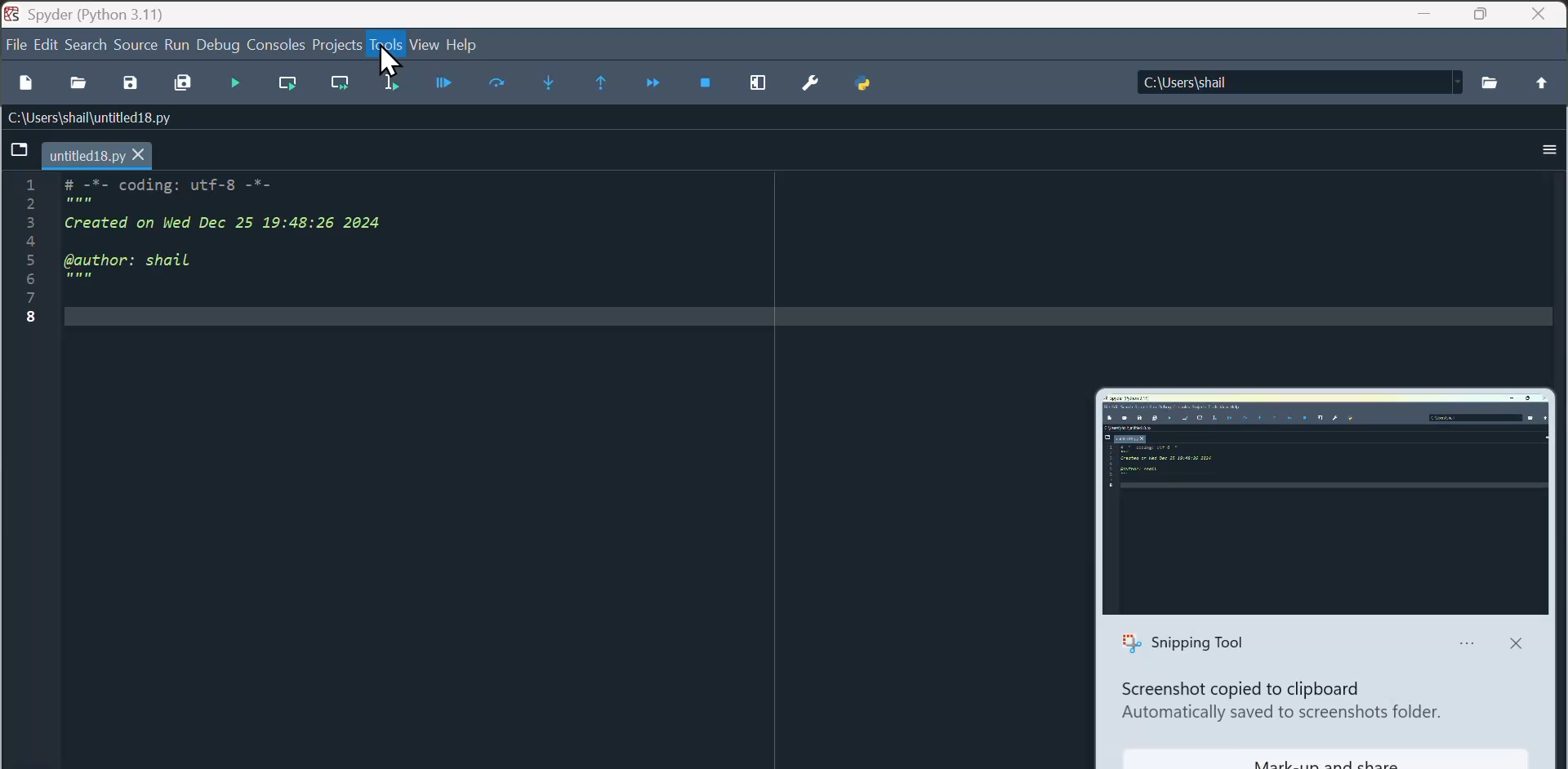 The width and height of the screenshot is (1568, 769). What do you see at coordinates (709, 85) in the screenshot?
I see `Stop debugging` at bounding box center [709, 85].